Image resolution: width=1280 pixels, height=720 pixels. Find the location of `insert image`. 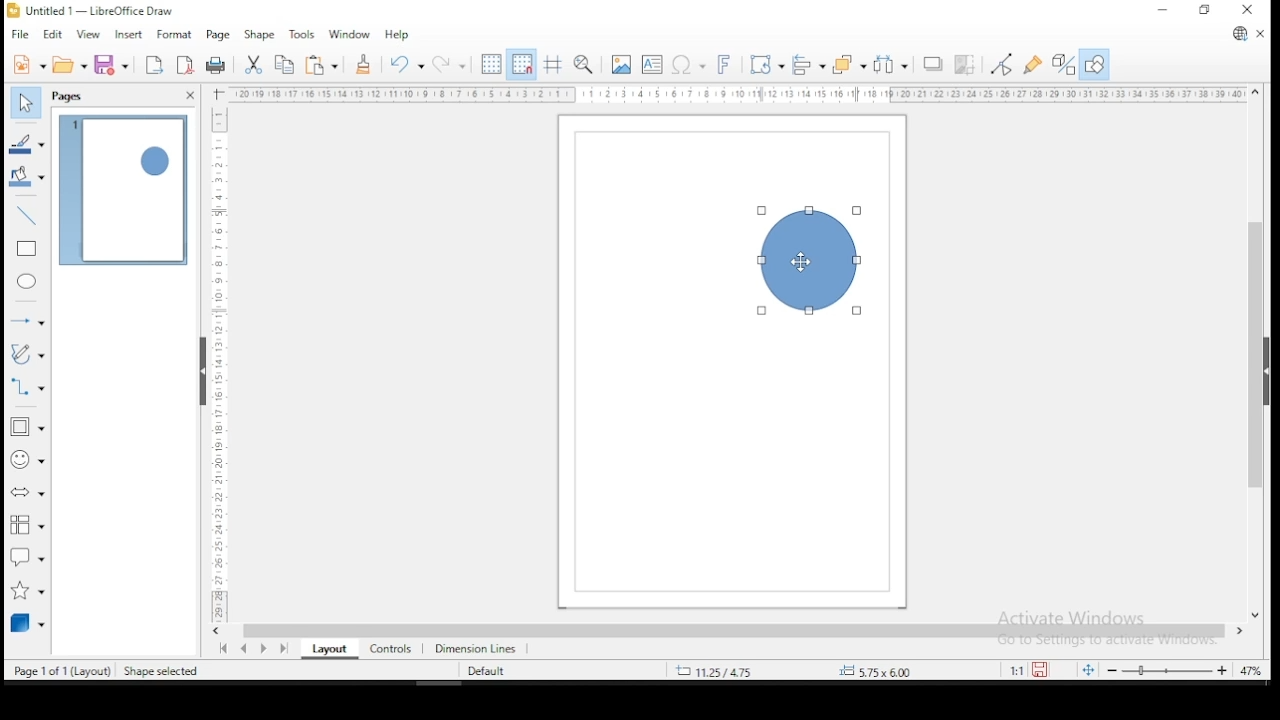

insert image is located at coordinates (620, 65).